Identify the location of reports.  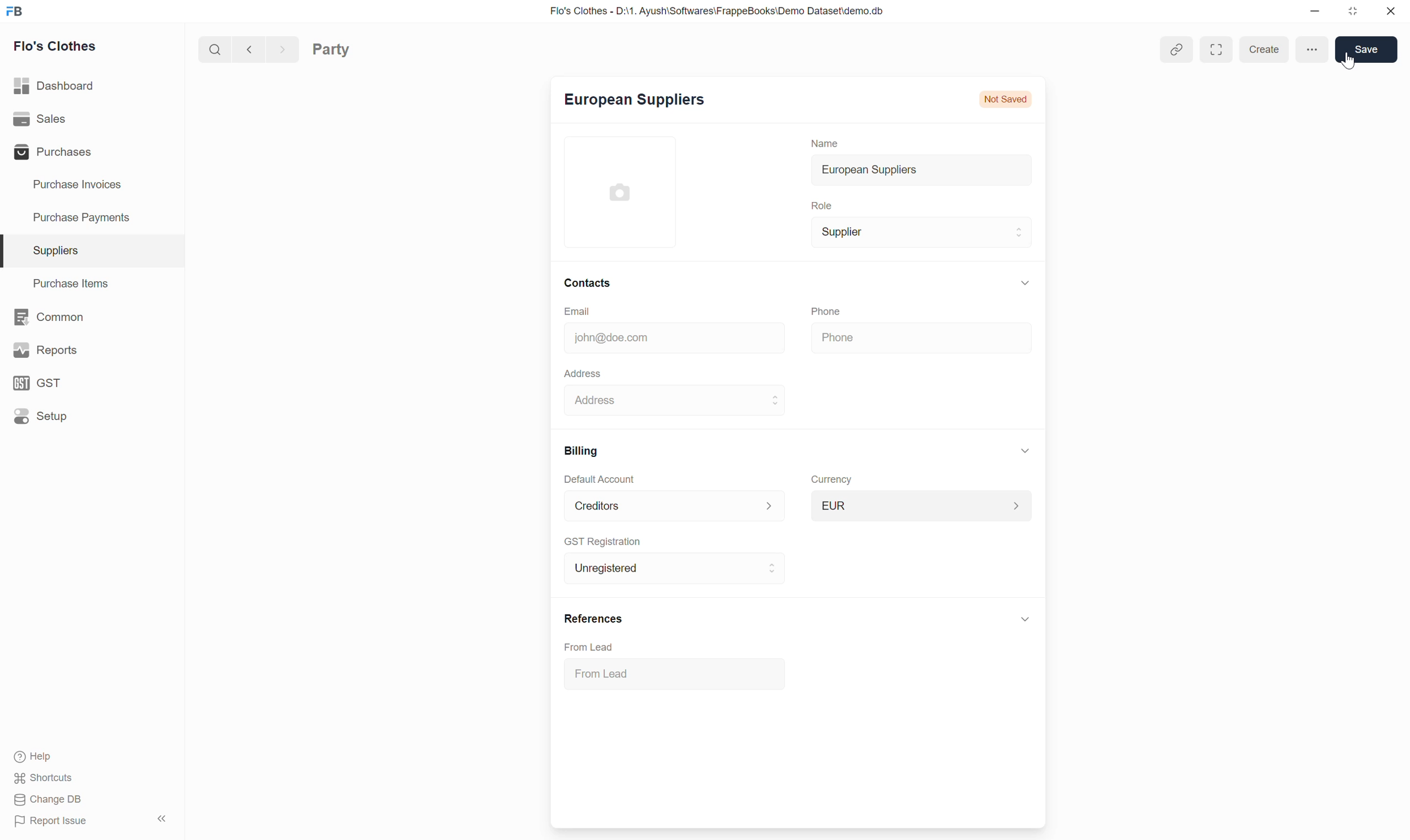
(48, 350).